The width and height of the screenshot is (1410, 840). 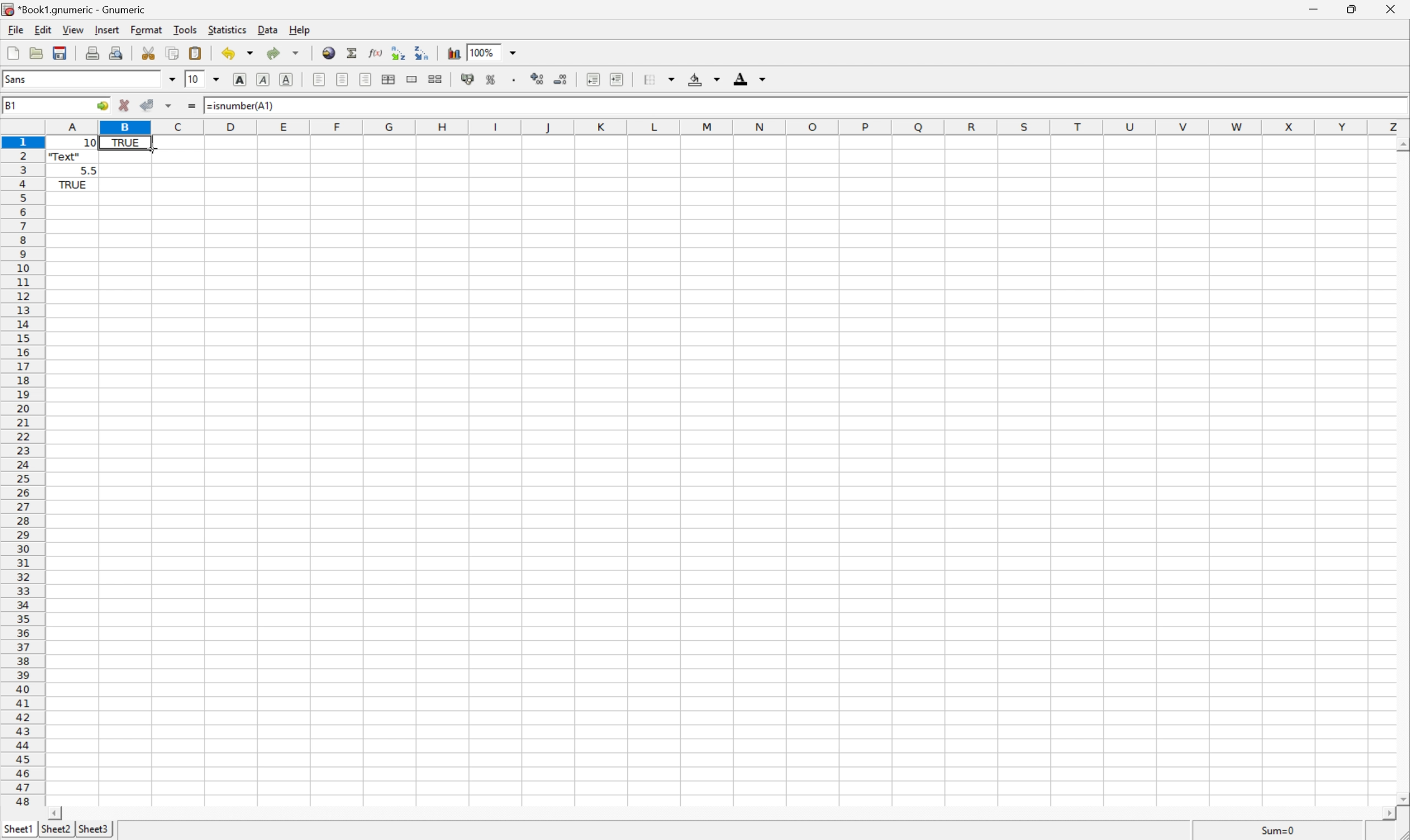 What do you see at coordinates (93, 829) in the screenshot?
I see `Sheet3` at bounding box center [93, 829].